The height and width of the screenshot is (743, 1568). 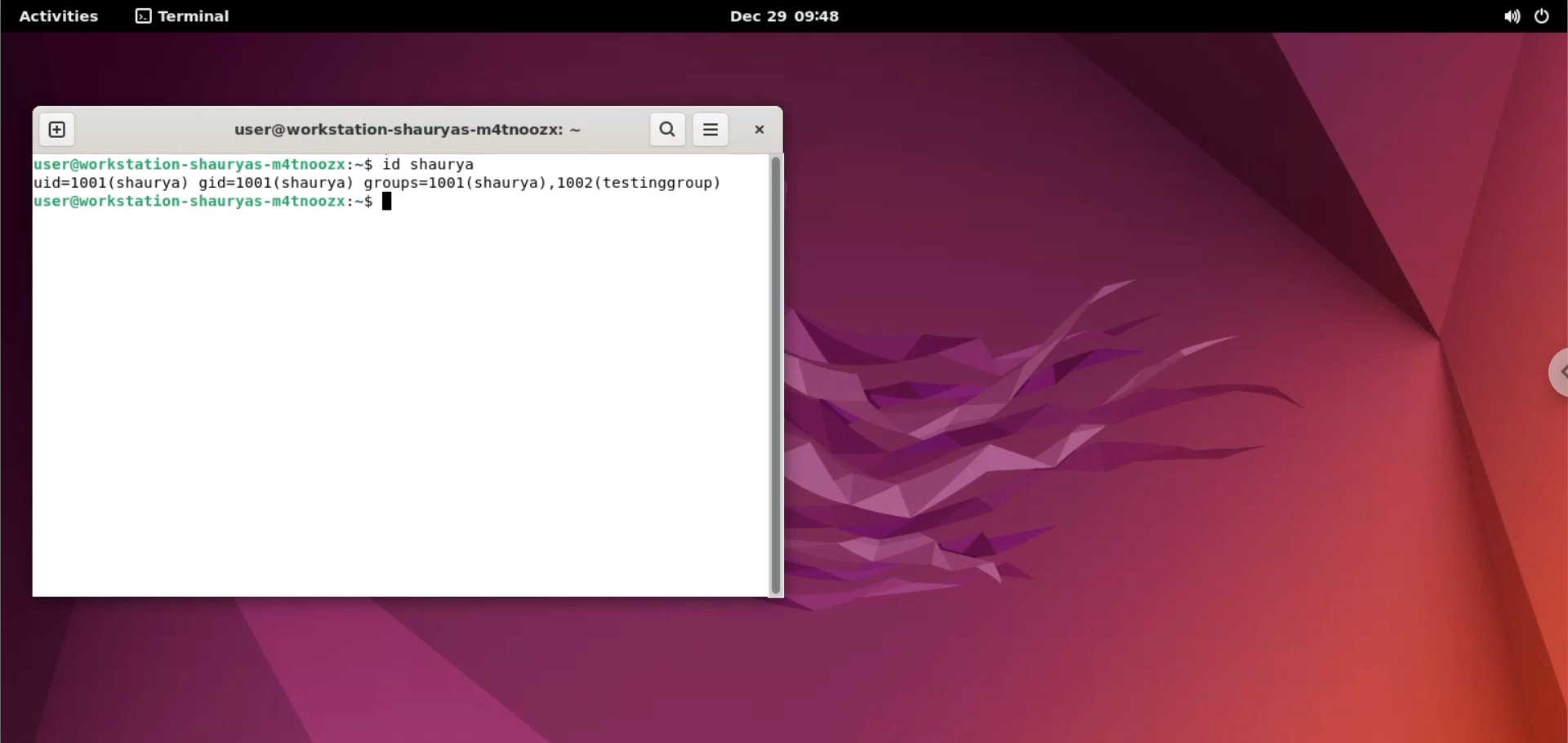 What do you see at coordinates (56, 130) in the screenshot?
I see `new tab` at bounding box center [56, 130].